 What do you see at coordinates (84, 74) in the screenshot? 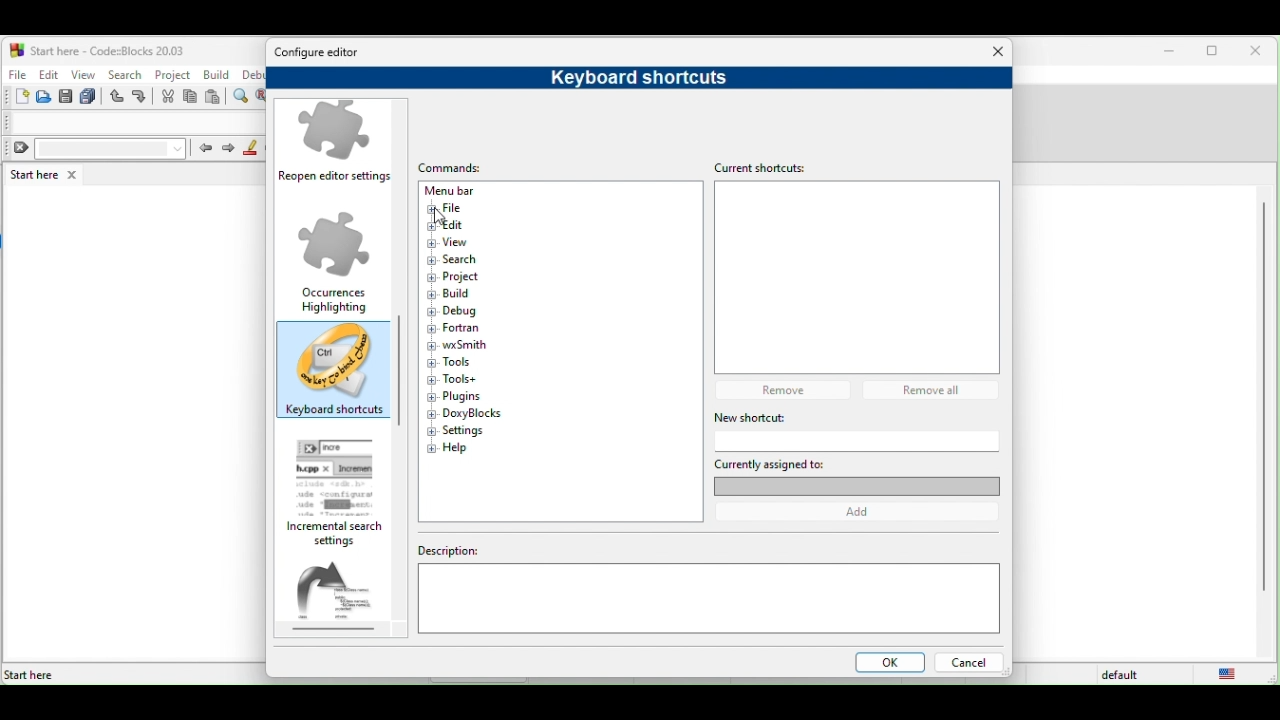
I see `view` at bounding box center [84, 74].